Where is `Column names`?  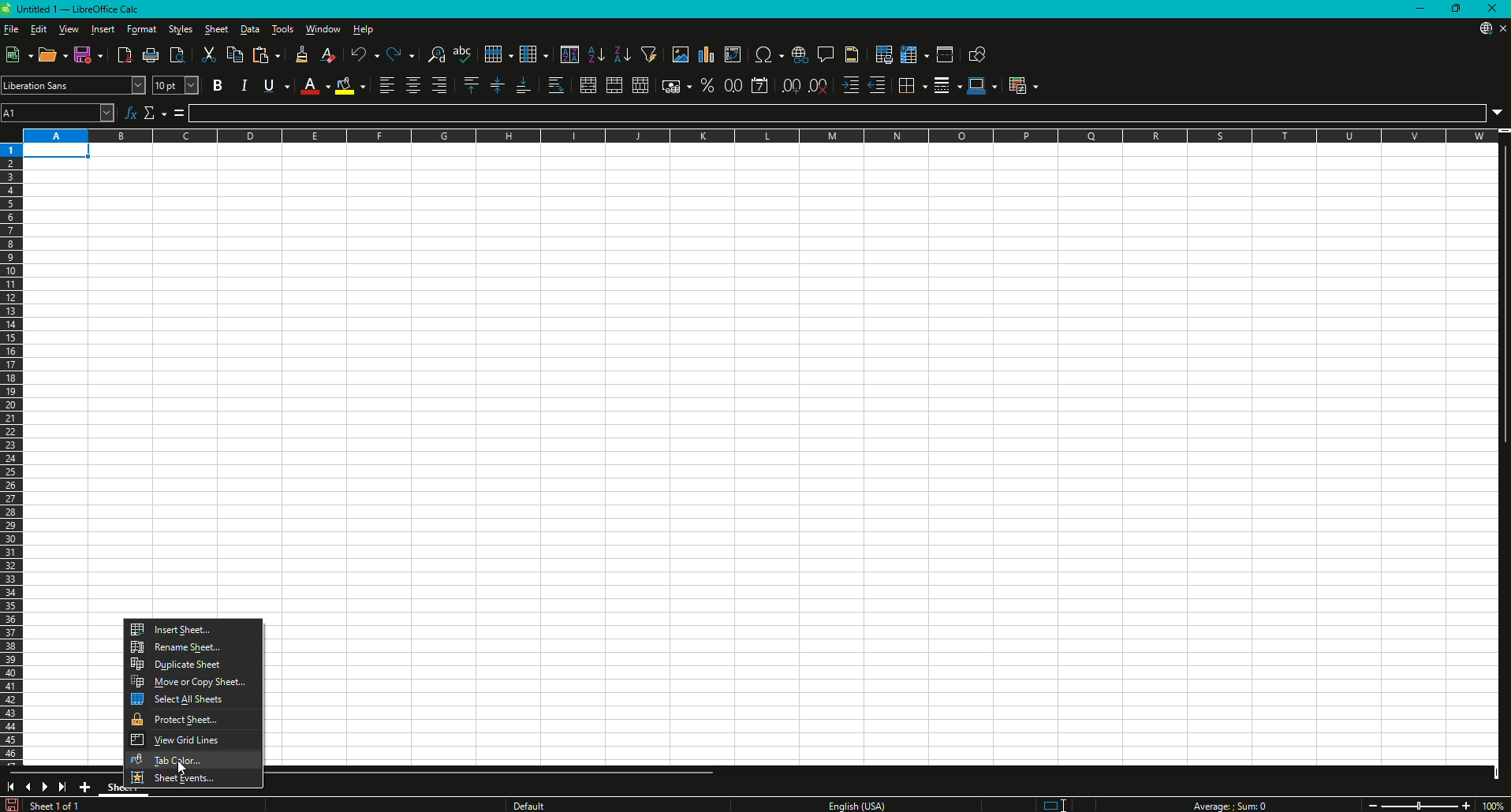 Column names is located at coordinates (759, 136).